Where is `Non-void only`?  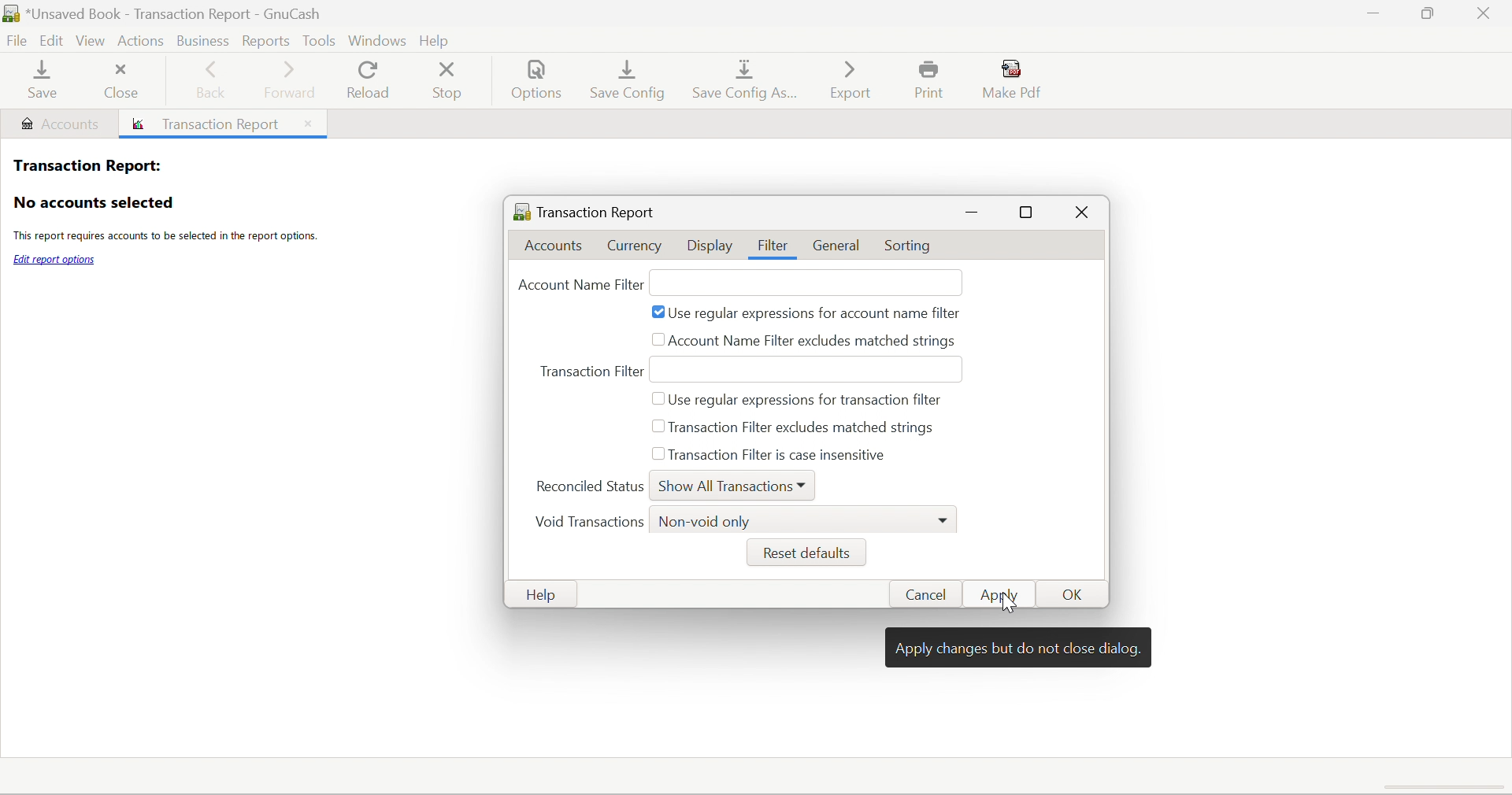
Non-void only is located at coordinates (706, 523).